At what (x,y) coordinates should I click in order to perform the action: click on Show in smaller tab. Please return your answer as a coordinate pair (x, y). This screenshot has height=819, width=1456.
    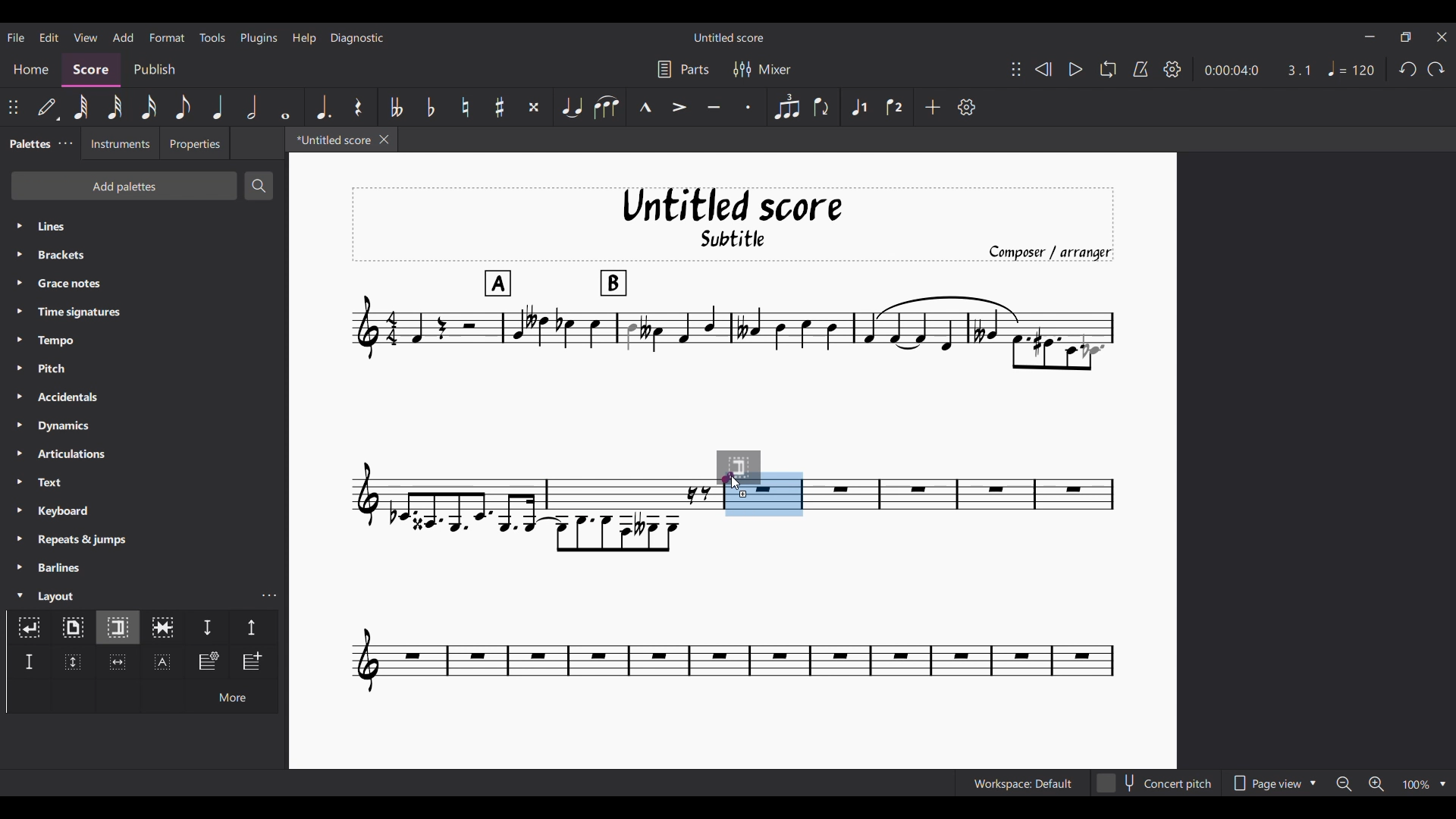
    Looking at the image, I should click on (1405, 37).